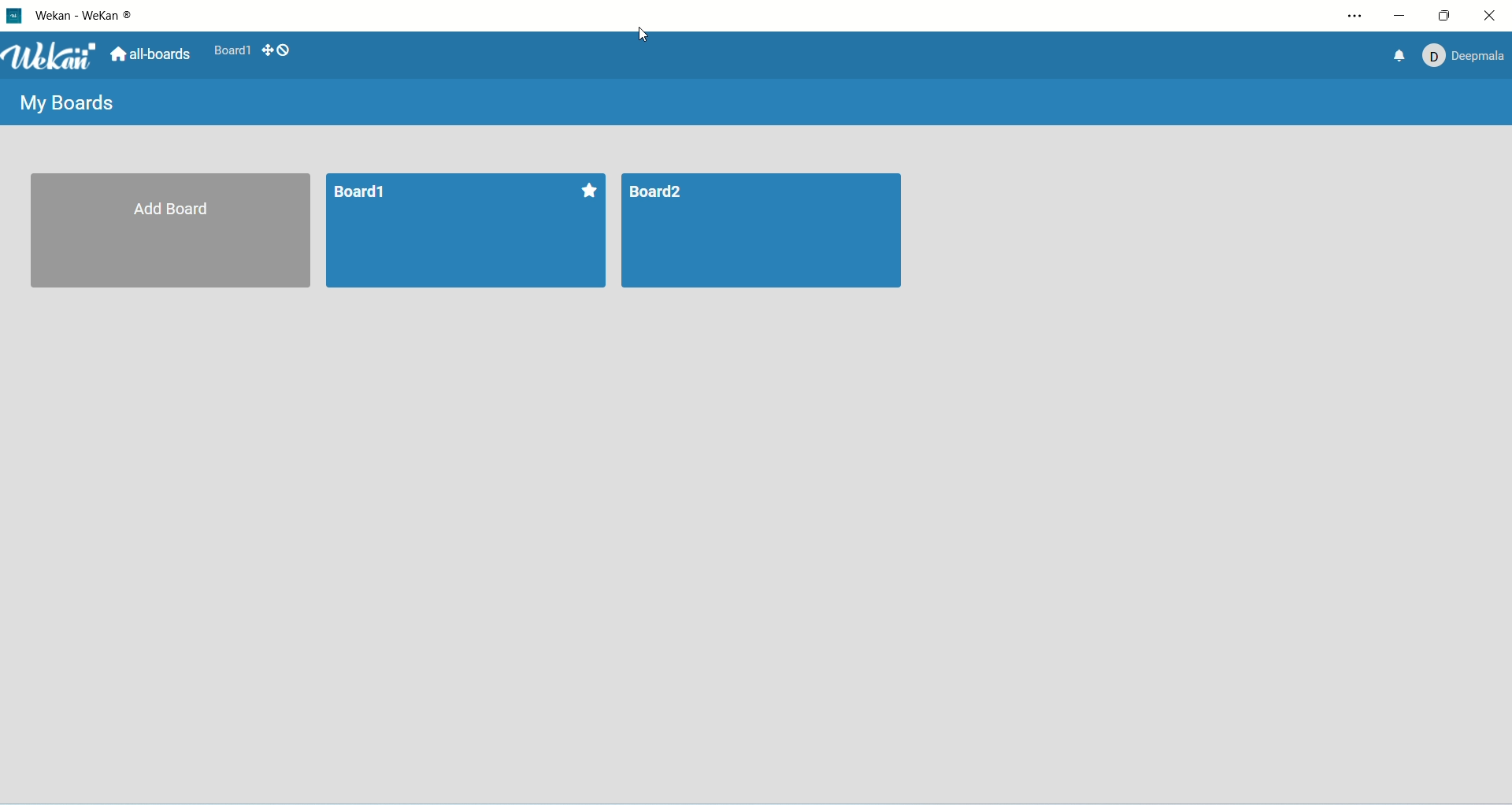 The height and width of the screenshot is (805, 1512). What do you see at coordinates (1400, 17) in the screenshot?
I see `minimize` at bounding box center [1400, 17].